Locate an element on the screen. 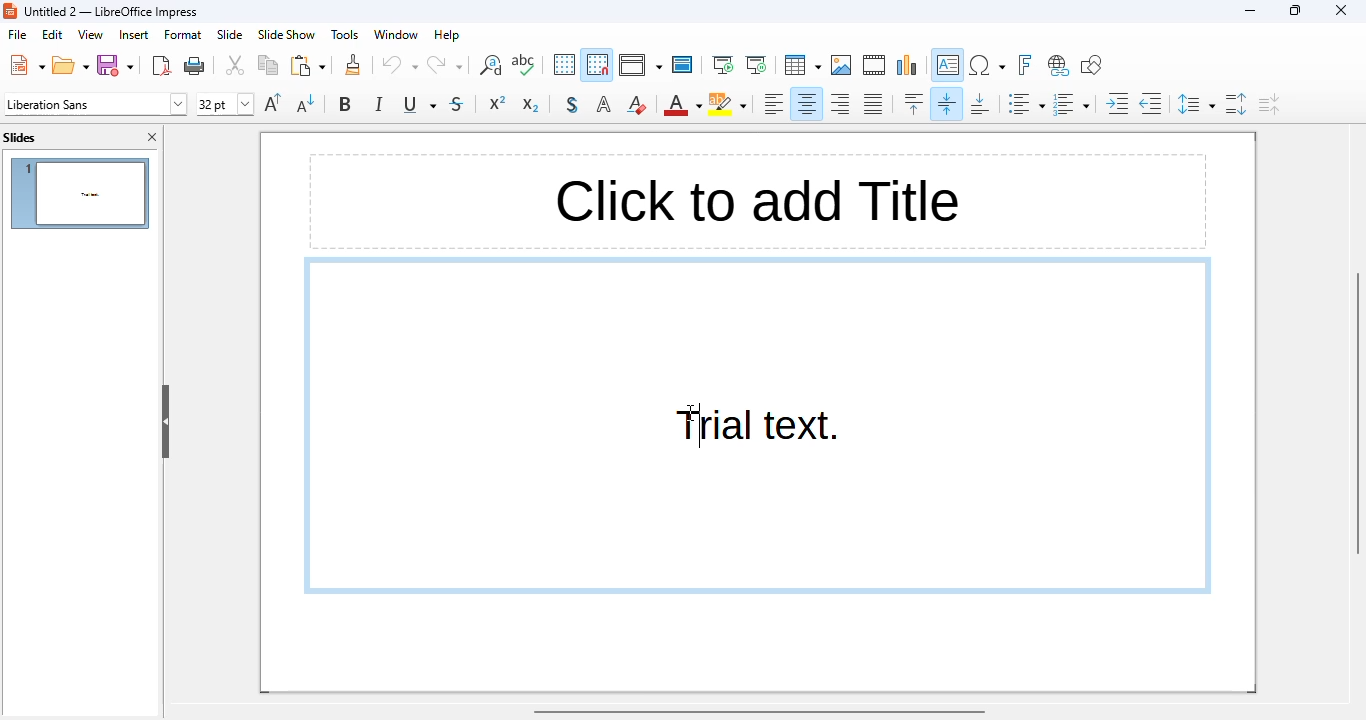 The width and height of the screenshot is (1366, 720). hide is located at coordinates (164, 420).